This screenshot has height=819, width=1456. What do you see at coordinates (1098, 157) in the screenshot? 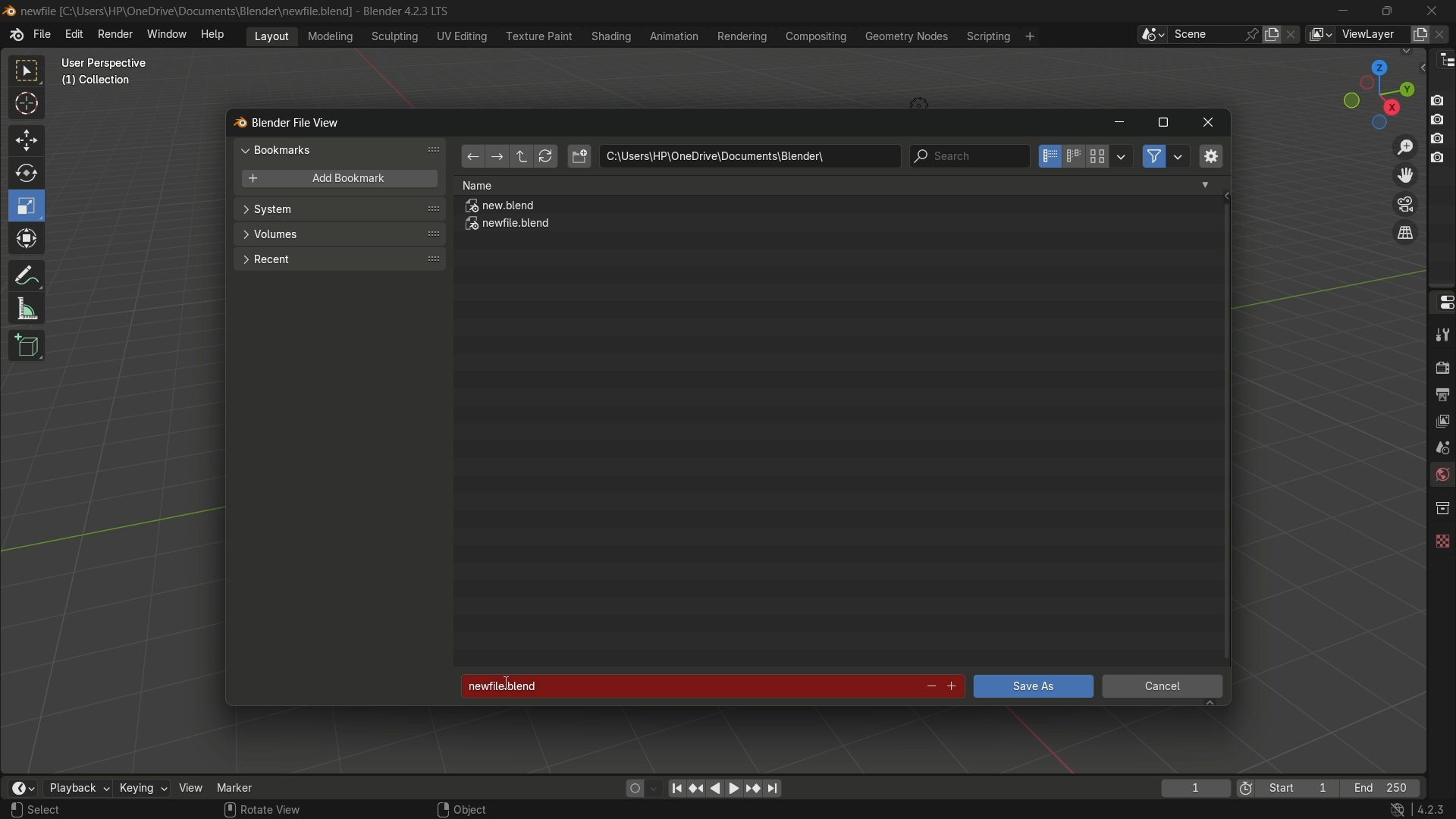
I see `thumbnails display` at bounding box center [1098, 157].